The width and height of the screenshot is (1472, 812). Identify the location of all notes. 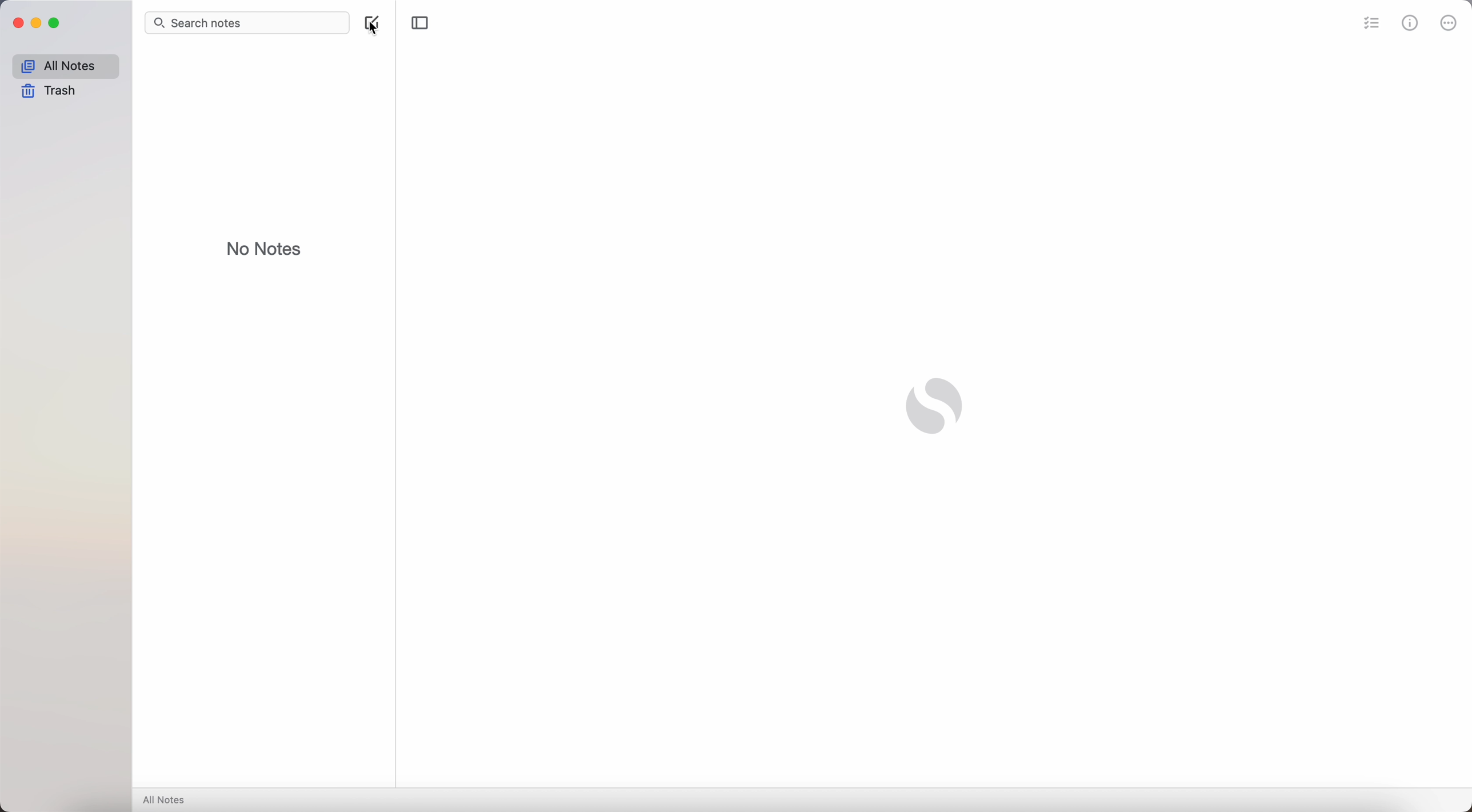
(167, 799).